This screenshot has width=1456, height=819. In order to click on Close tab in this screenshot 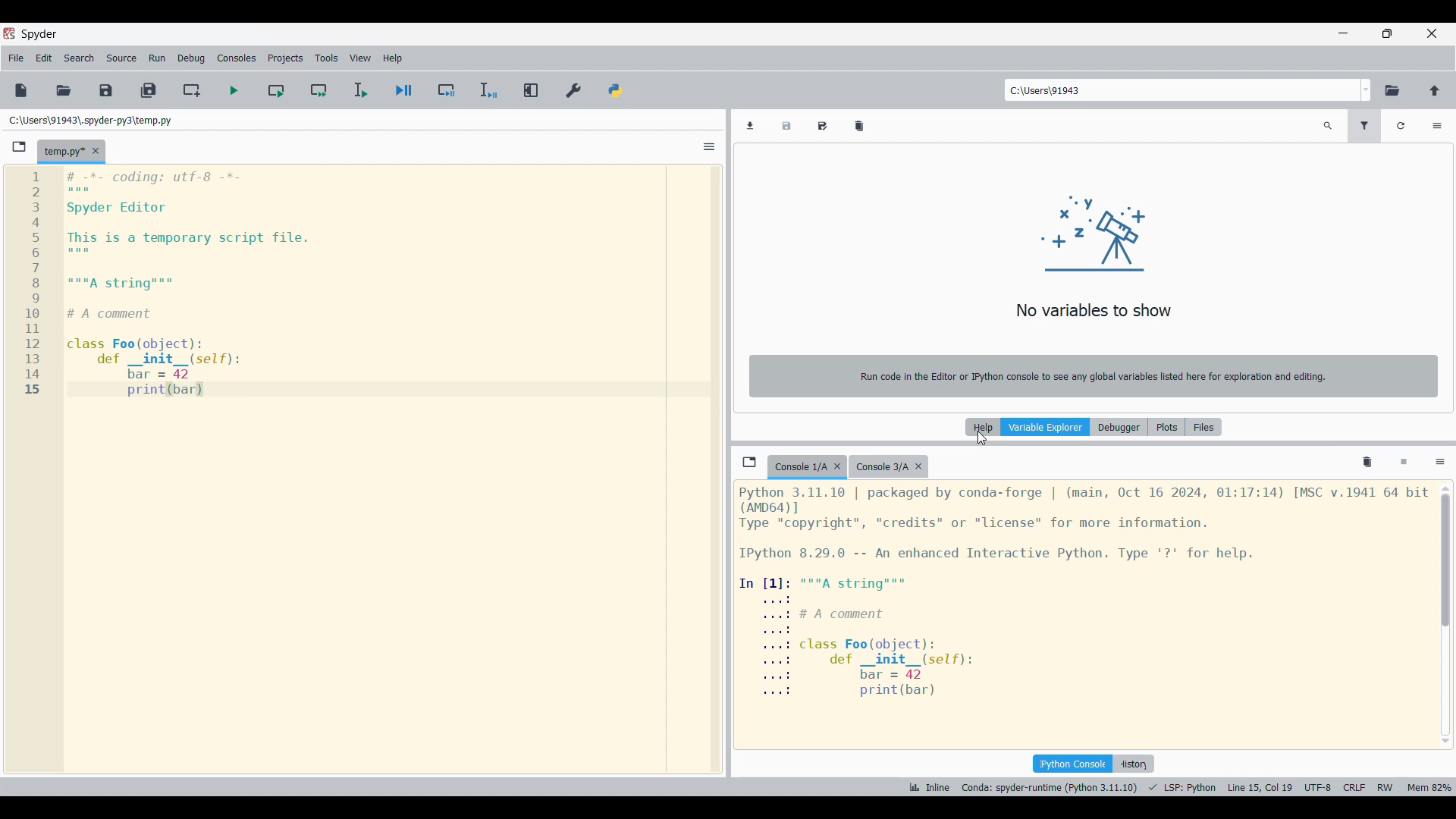, I will do `click(837, 466)`.